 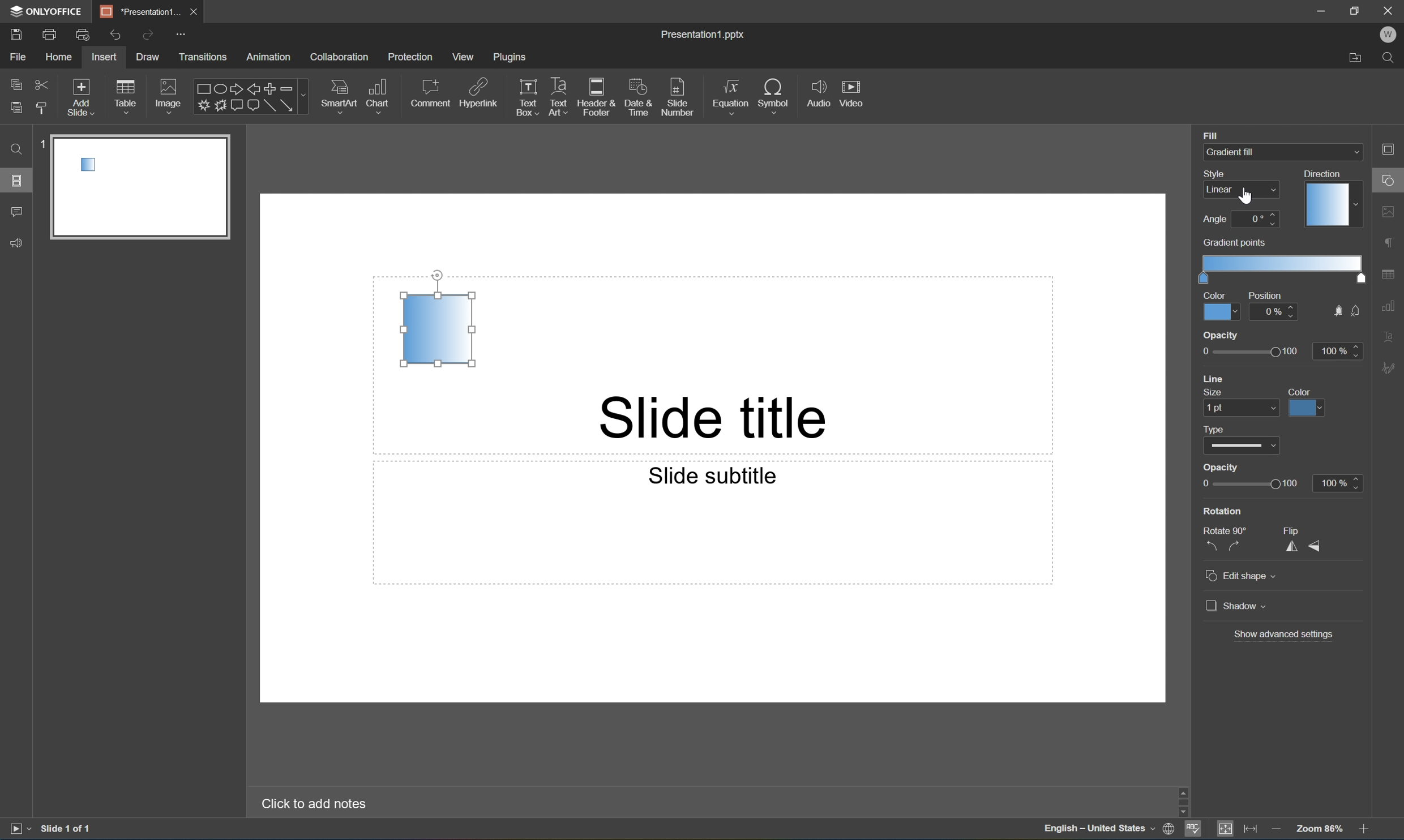 I want to click on Feedback & Support, so click(x=18, y=243).